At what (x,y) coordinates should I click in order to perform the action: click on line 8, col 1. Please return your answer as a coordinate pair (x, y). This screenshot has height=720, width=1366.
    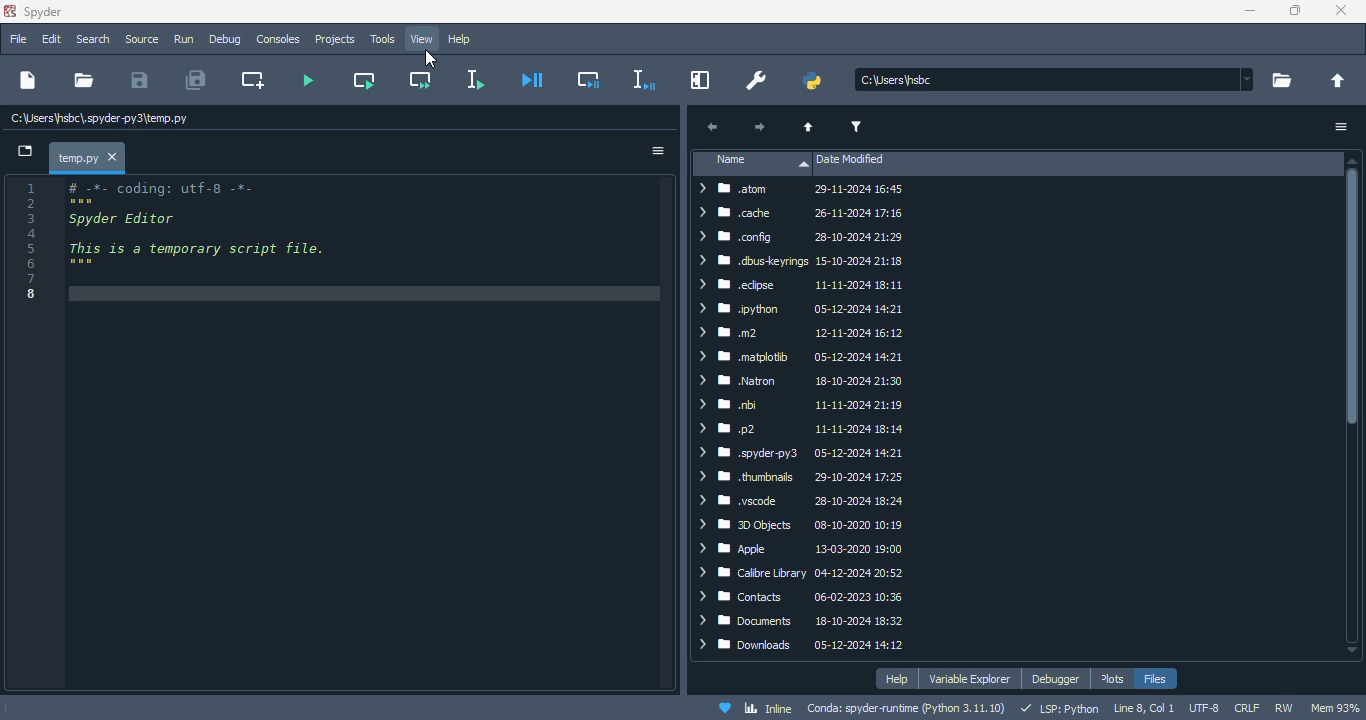
    Looking at the image, I should click on (1145, 709).